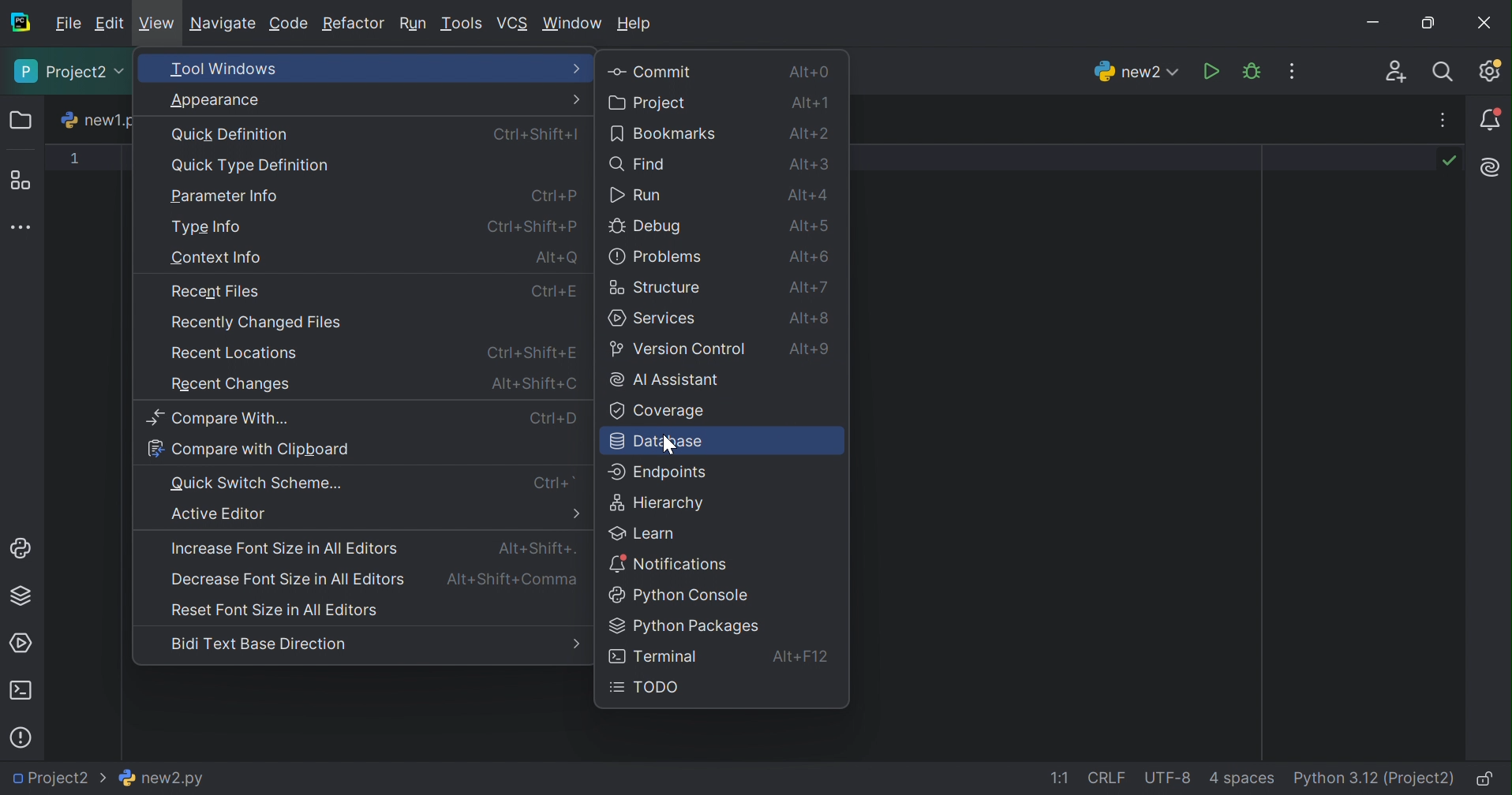  What do you see at coordinates (558, 257) in the screenshot?
I see `Alt+P` at bounding box center [558, 257].